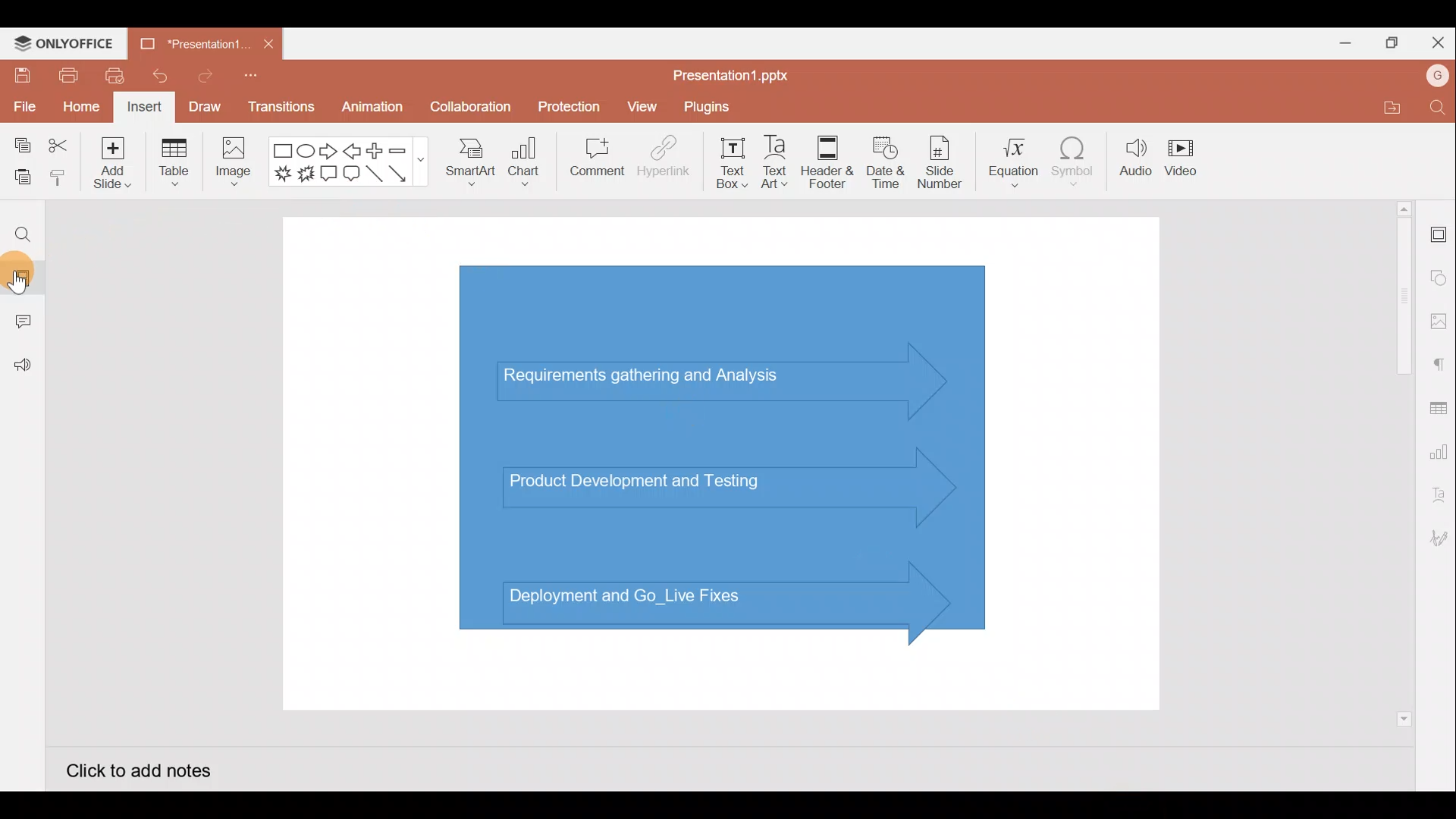 This screenshot has width=1456, height=819. Describe the element at coordinates (351, 152) in the screenshot. I see `Left arrow` at that location.